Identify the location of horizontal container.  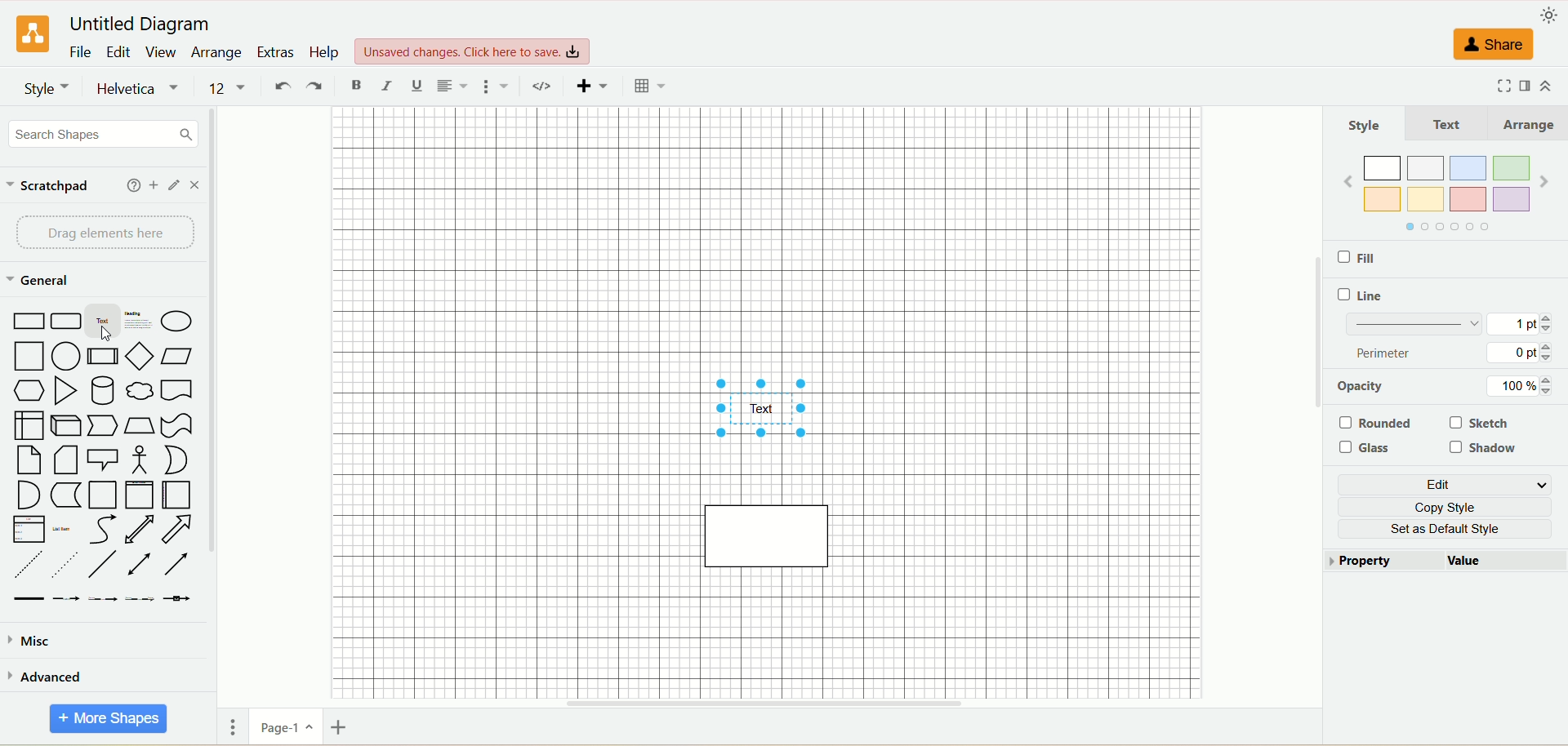
(174, 495).